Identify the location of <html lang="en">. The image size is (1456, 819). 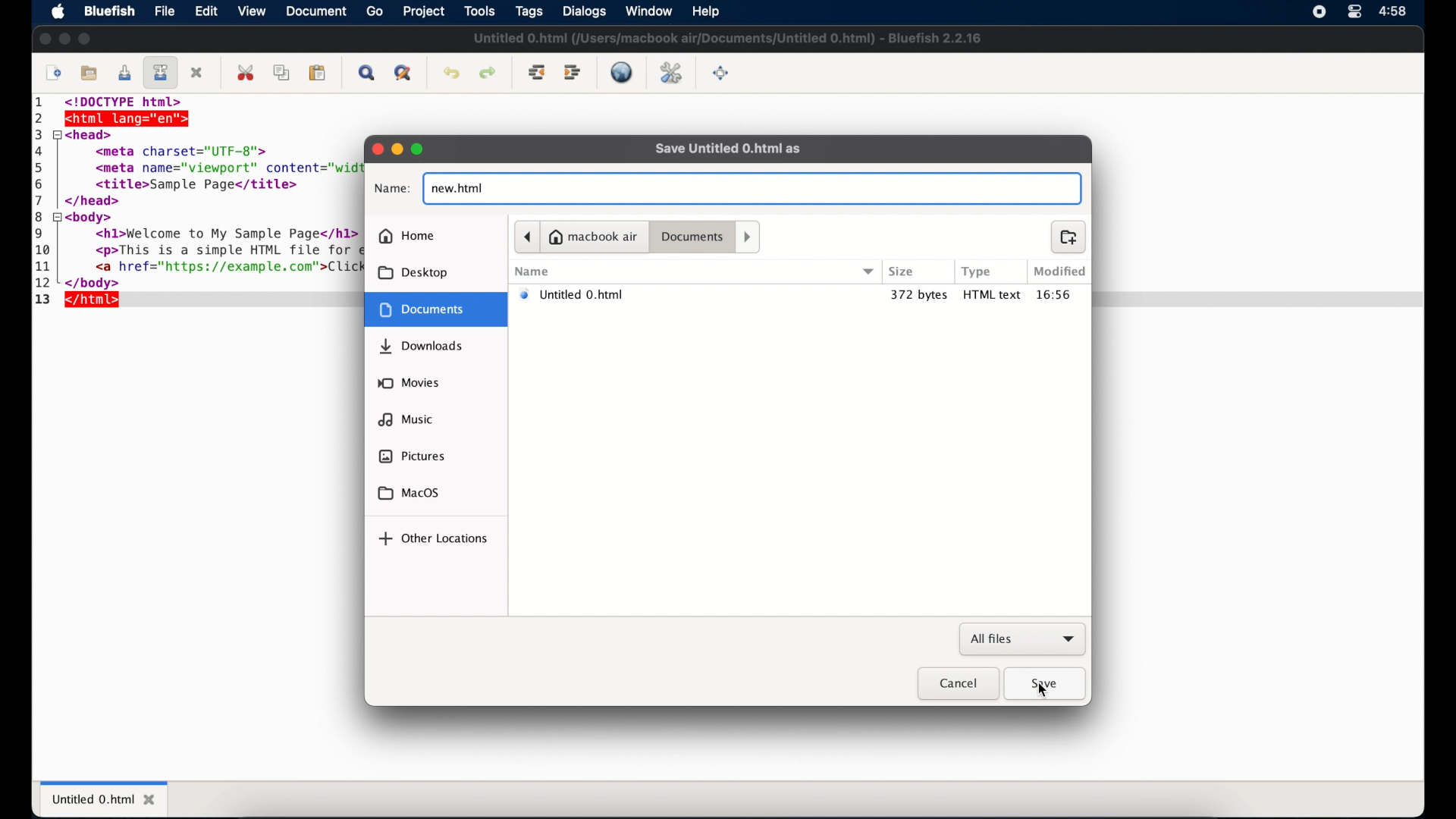
(130, 118).